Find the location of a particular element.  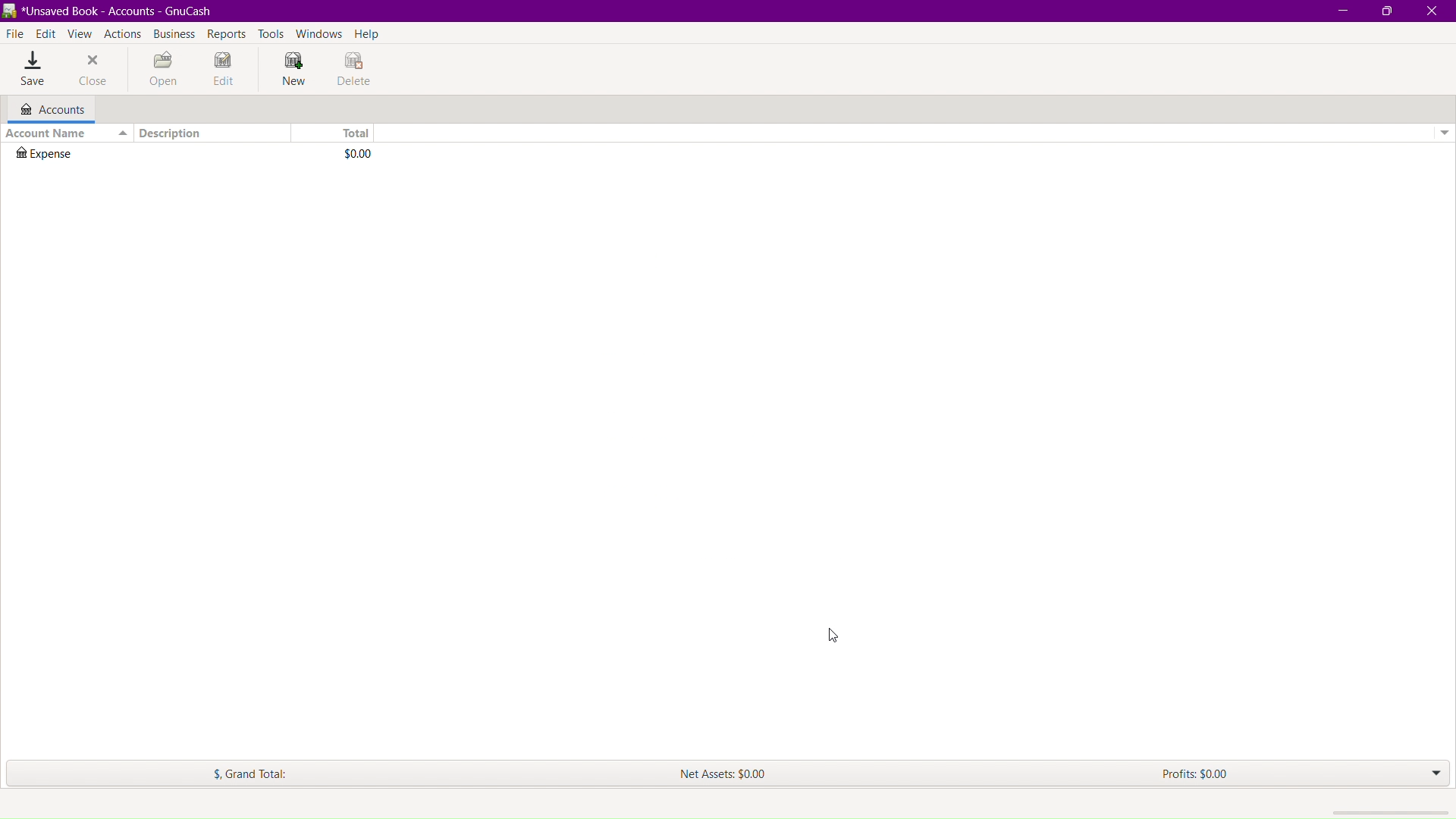

Tools is located at coordinates (269, 31).